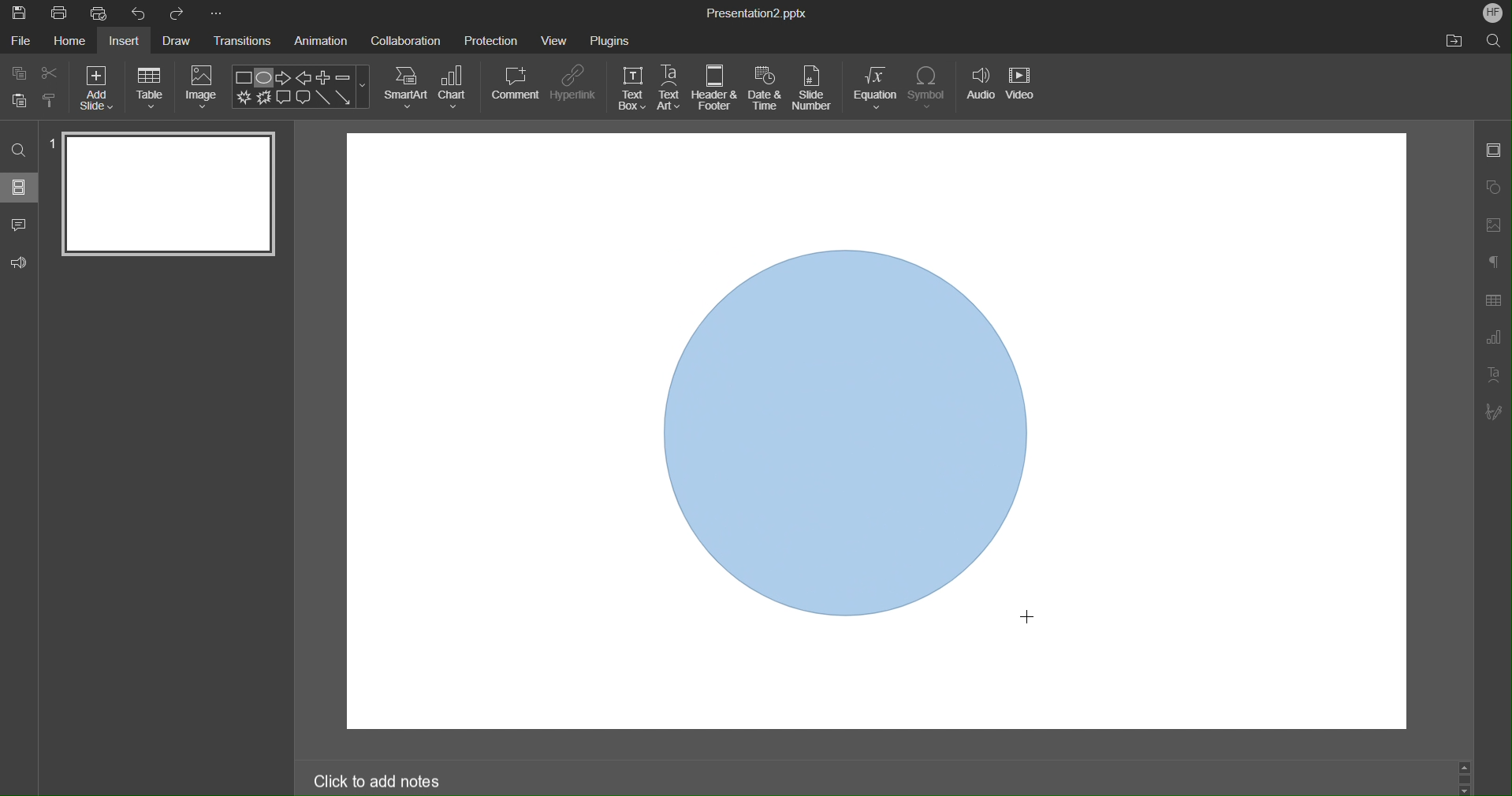  I want to click on Add Size, so click(96, 87).